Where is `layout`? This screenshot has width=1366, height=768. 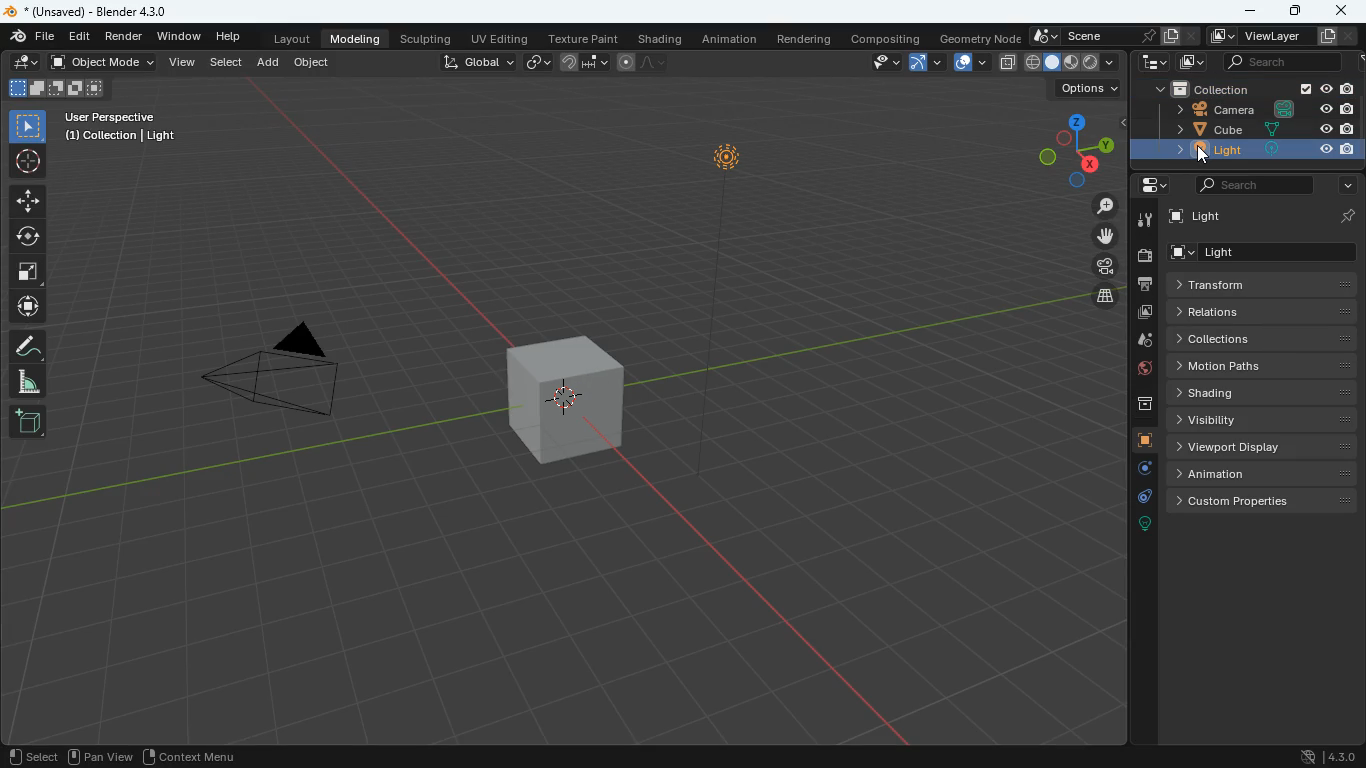
layout is located at coordinates (294, 38).